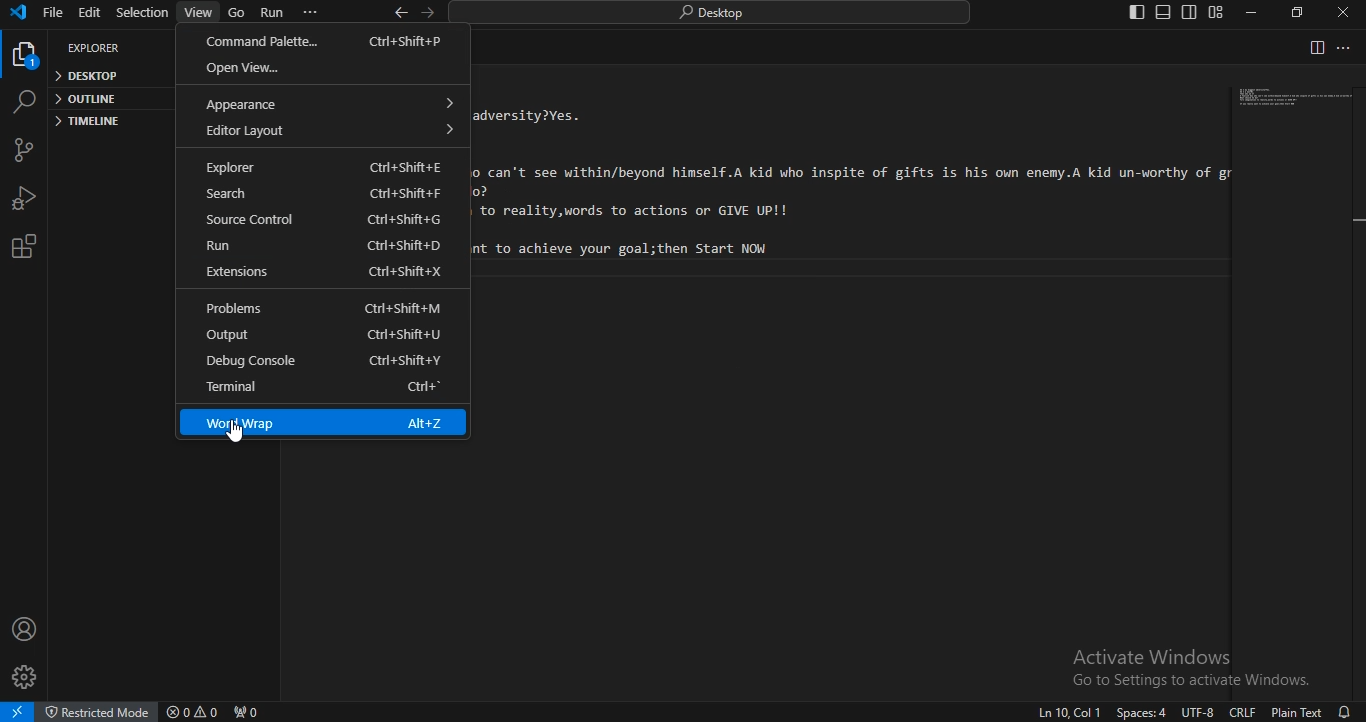 This screenshot has width=1366, height=722. What do you see at coordinates (1345, 49) in the screenshot?
I see `...` at bounding box center [1345, 49].